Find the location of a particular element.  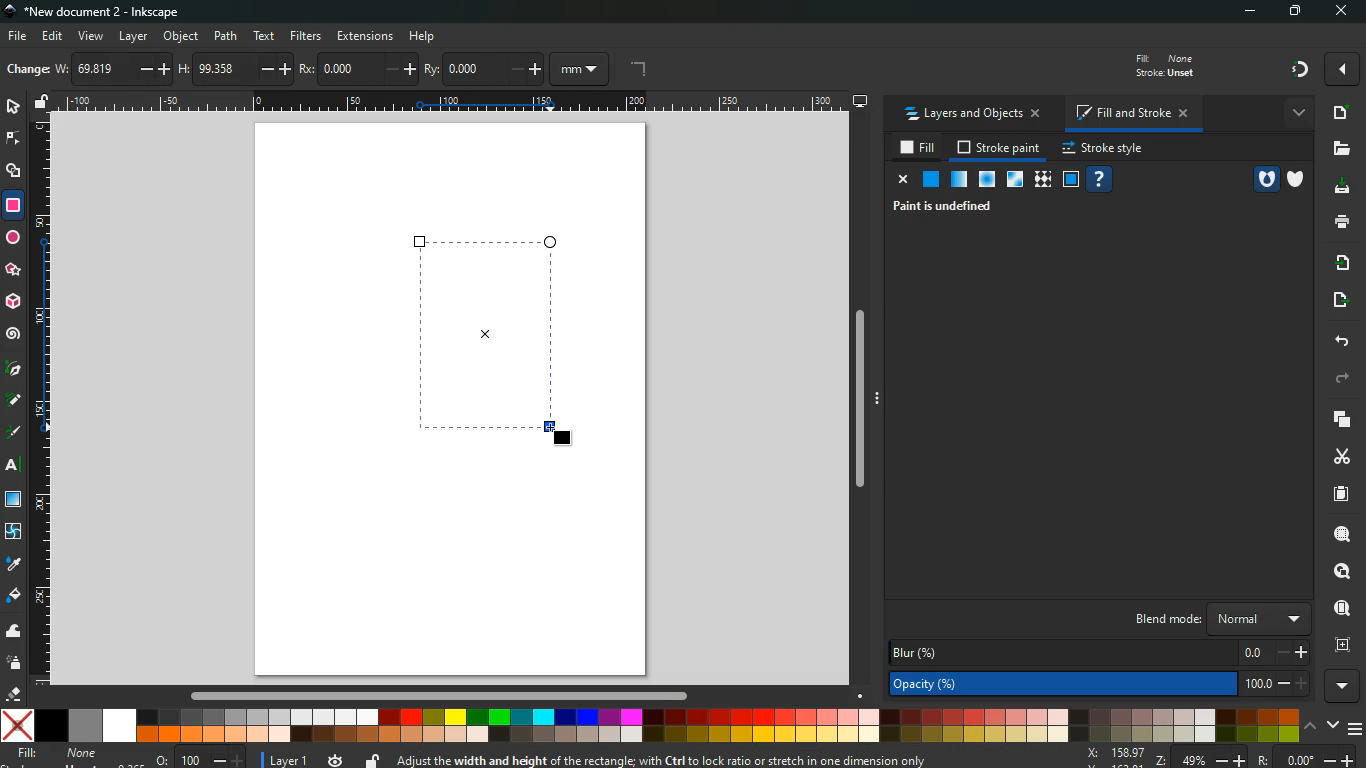

help is located at coordinates (1100, 180).